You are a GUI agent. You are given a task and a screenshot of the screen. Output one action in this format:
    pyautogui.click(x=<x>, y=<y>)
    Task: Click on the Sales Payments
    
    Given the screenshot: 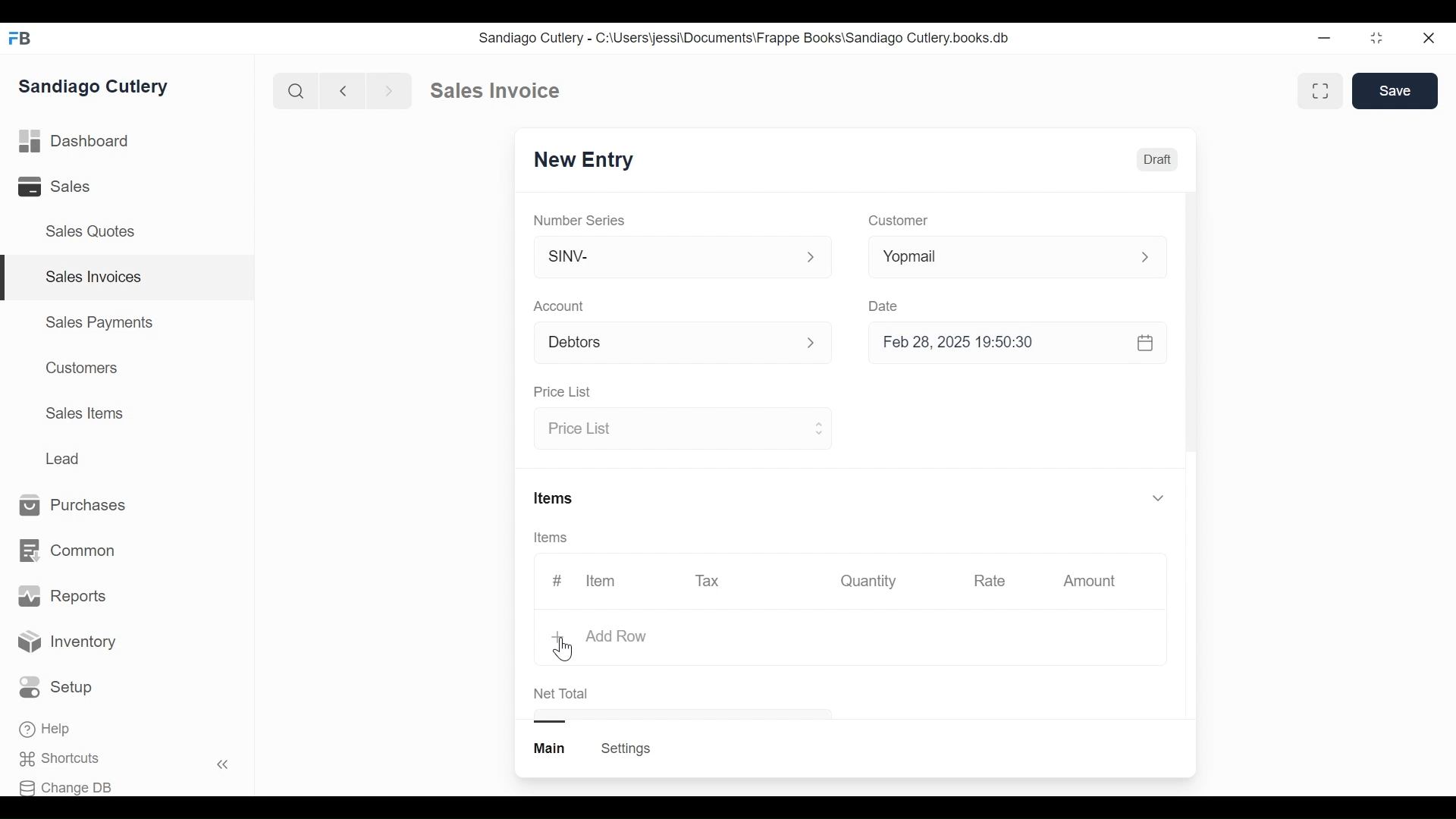 What is the action you would take?
    pyautogui.click(x=98, y=322)
    